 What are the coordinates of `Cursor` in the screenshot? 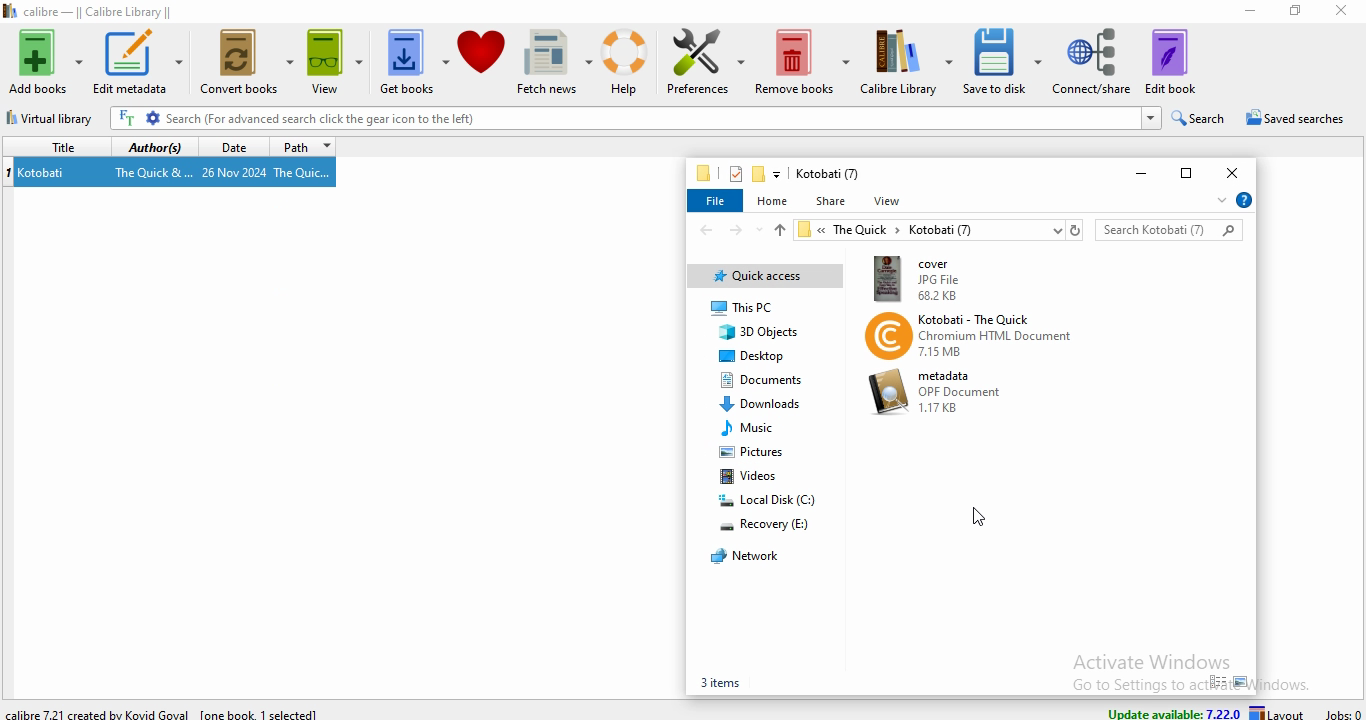 It's located at (982, 517).